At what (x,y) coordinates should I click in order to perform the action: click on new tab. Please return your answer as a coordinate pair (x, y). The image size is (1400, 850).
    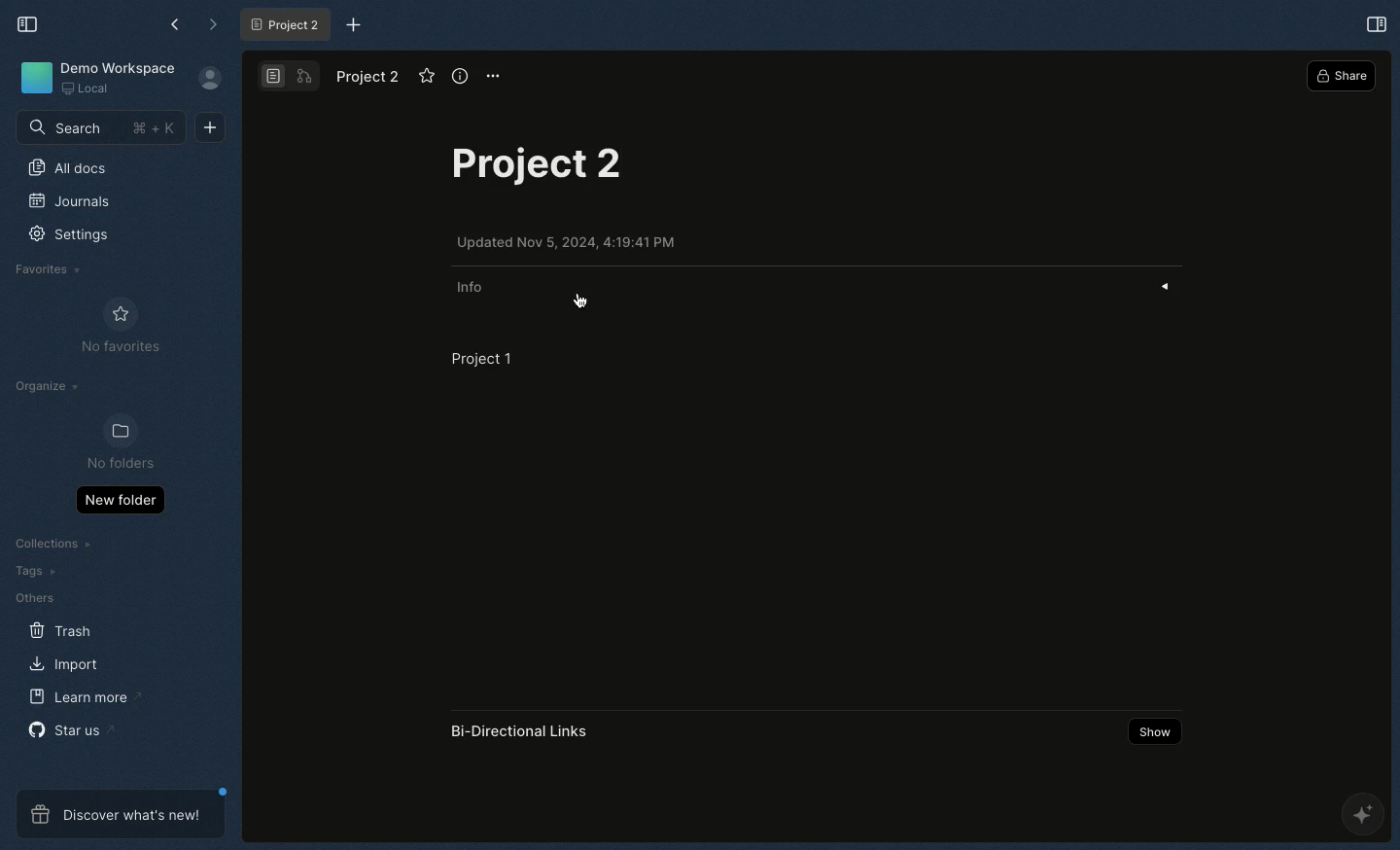
    Looking at the image, I should click on (359, 23).